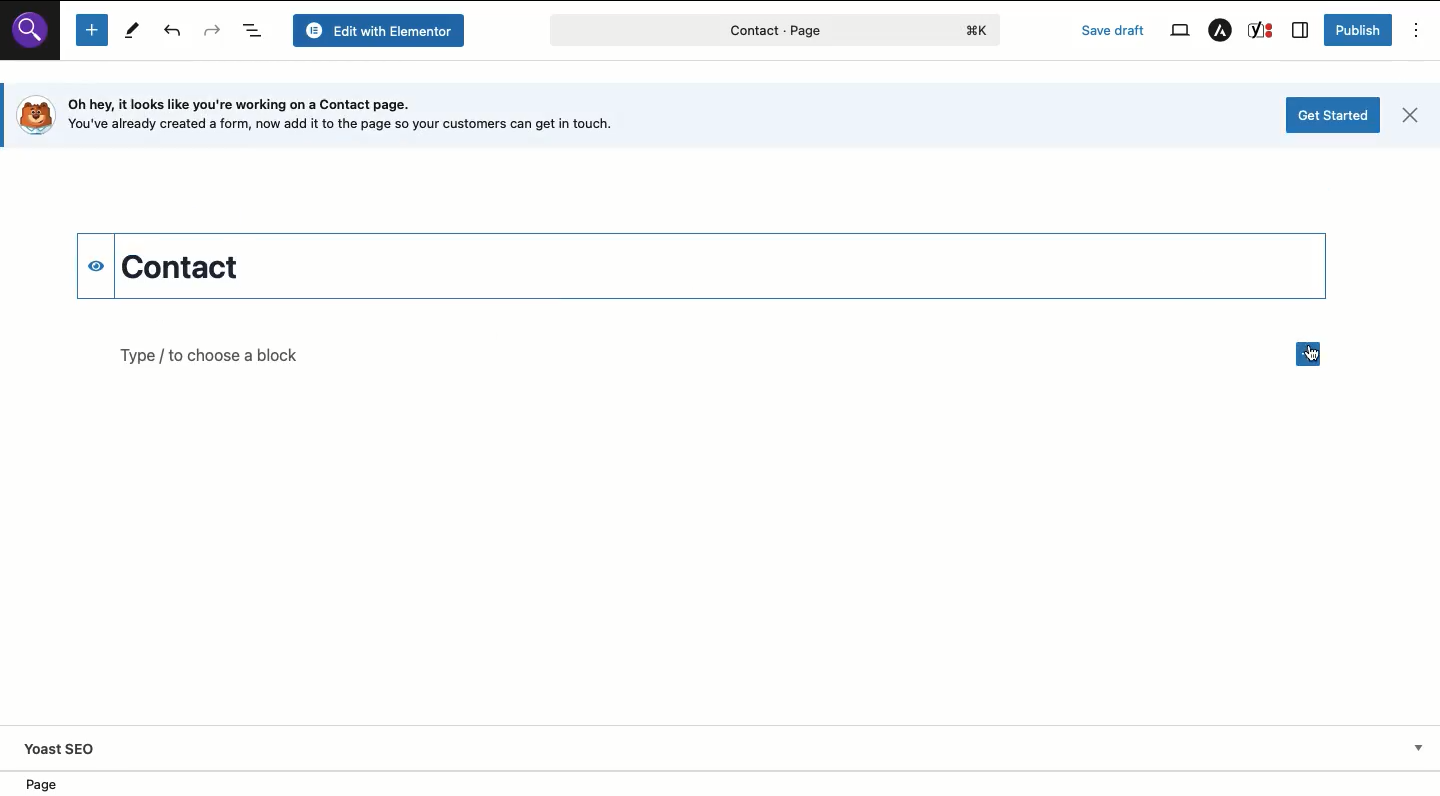 The width and height of the screenshot is (1440, 796). Describe the element at coordinates (213, 32) in the screenshot. I see `Redo` at that location.